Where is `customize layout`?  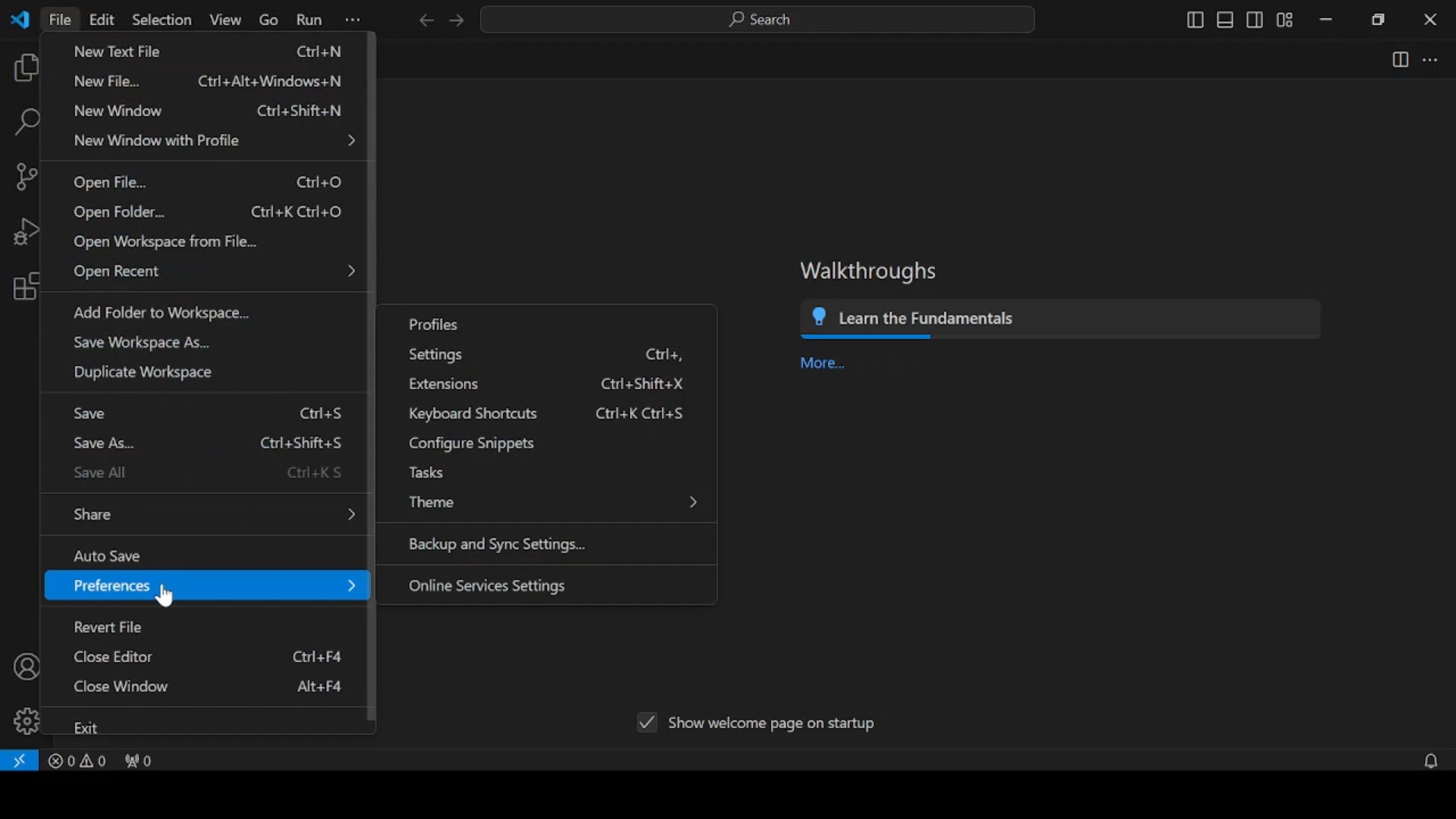 customize layout is located at coordinates (1285, 20).